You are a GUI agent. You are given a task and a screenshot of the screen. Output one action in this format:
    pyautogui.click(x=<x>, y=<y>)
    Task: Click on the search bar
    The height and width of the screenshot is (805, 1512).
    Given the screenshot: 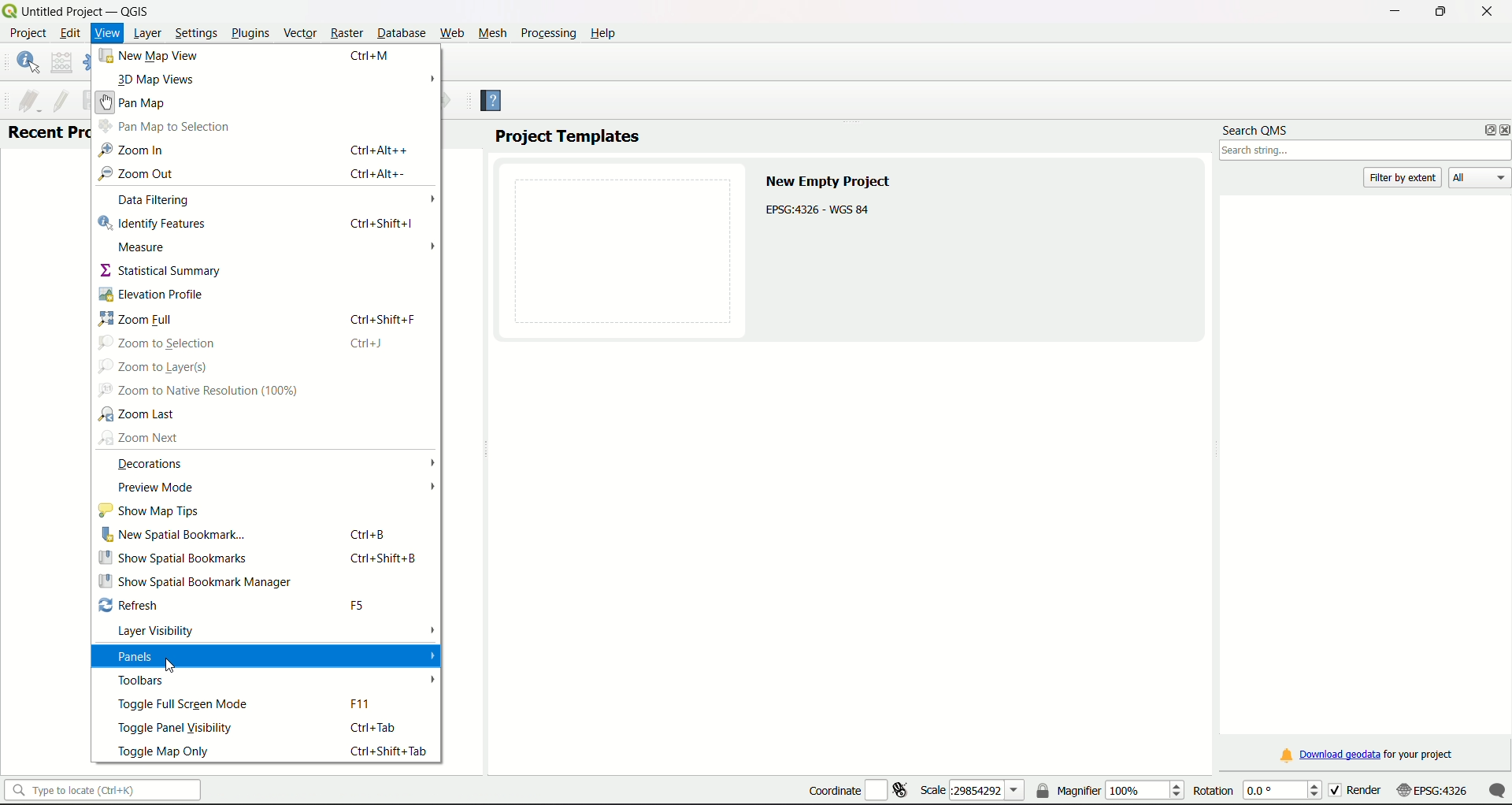 What is the action you would take?
    pyautogui.click(x=103, y=790)
    